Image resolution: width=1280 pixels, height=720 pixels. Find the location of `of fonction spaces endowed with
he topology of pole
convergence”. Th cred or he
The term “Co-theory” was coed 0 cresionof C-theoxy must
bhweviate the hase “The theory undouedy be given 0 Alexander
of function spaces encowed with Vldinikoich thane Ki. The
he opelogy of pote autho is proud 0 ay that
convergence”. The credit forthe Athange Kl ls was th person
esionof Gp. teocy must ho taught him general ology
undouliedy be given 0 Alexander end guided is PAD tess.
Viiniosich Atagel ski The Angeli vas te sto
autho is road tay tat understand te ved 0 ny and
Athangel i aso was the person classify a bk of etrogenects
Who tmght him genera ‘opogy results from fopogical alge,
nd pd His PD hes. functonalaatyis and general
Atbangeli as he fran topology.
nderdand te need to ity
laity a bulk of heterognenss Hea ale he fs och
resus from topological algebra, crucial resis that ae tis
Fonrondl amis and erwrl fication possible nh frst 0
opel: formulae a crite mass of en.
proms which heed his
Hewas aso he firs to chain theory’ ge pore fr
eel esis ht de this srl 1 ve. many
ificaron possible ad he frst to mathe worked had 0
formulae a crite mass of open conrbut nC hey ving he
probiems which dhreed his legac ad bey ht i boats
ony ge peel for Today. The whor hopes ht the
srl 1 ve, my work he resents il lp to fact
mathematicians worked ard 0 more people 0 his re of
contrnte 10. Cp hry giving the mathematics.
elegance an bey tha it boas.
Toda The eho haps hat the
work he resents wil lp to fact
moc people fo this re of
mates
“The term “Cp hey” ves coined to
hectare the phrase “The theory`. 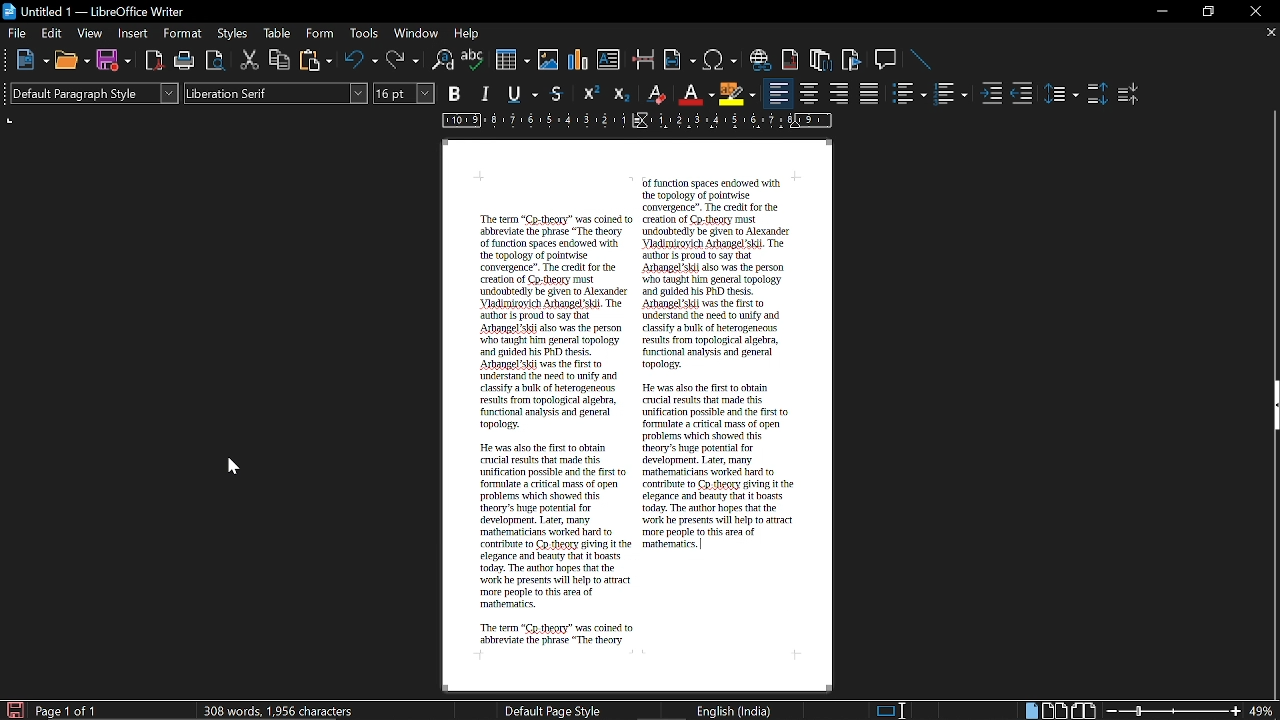

of fonction spaces endowed with
he topology of pole
convergence”. Th cred or he
The term “Co-theory” was coed 0 cresionof C-theoxy must
bhweviate the hase “The theory undouedy be given 0 Alexander
of function spaces encowed with Vldinikoich thane Ki. The
he opelogy of pote autho is proud 0 ay that
convergence”. The credit forthe Athange Kl ls was th person
esionof Gp. teocy must ho taught him general ology
undouliedy be given 0 Alexander end guided is PAD tess.
Viiniosich Atagel ski The Angeli vas te sto
autho is road tay tat understand te ved 0 ny and
Athangel i aso was the person classify a bk of etrogenects
Who tmght him genera ‘opogy results from fopogical alge,
nd pd His PD hes. functonalaatyis and general
Atbangeli as he fran topology.
nderdand te need to ity
laity a bulk of heterognenss Hea ale he fs och
resus from topological algebra, crucial resis that ae tis
Fonrondl amis and erwrl fication possible nh frst 0
opel: formulae a crite mass of en.
proms which heed his
Hewas aso he firs to chain theory’ ge pore fr
eel esis ht de this srl 1 ve. many
ificaron possible ad he frst to mathe worked had 0
formulae a crite mass of open conrbut nC hey ving he
probiems which dhreed his legac ad bey ht i boats
ony ge peel for Today. The whor hopes ht the
srl 1 ve, my work he resents il lp to fact
mathematicians worked ard 0 more people 0 his re of
contrnte 10. Cp hry giving the mathematics.
elegance an bey tha it boas.
Toda The eho haps hat the
work he resents wil lp to fact
moc people fo this re of
mates
“The term “Cp hey” ves coined to
hectare the phrase “The theory is located at coordinates (623, 419).